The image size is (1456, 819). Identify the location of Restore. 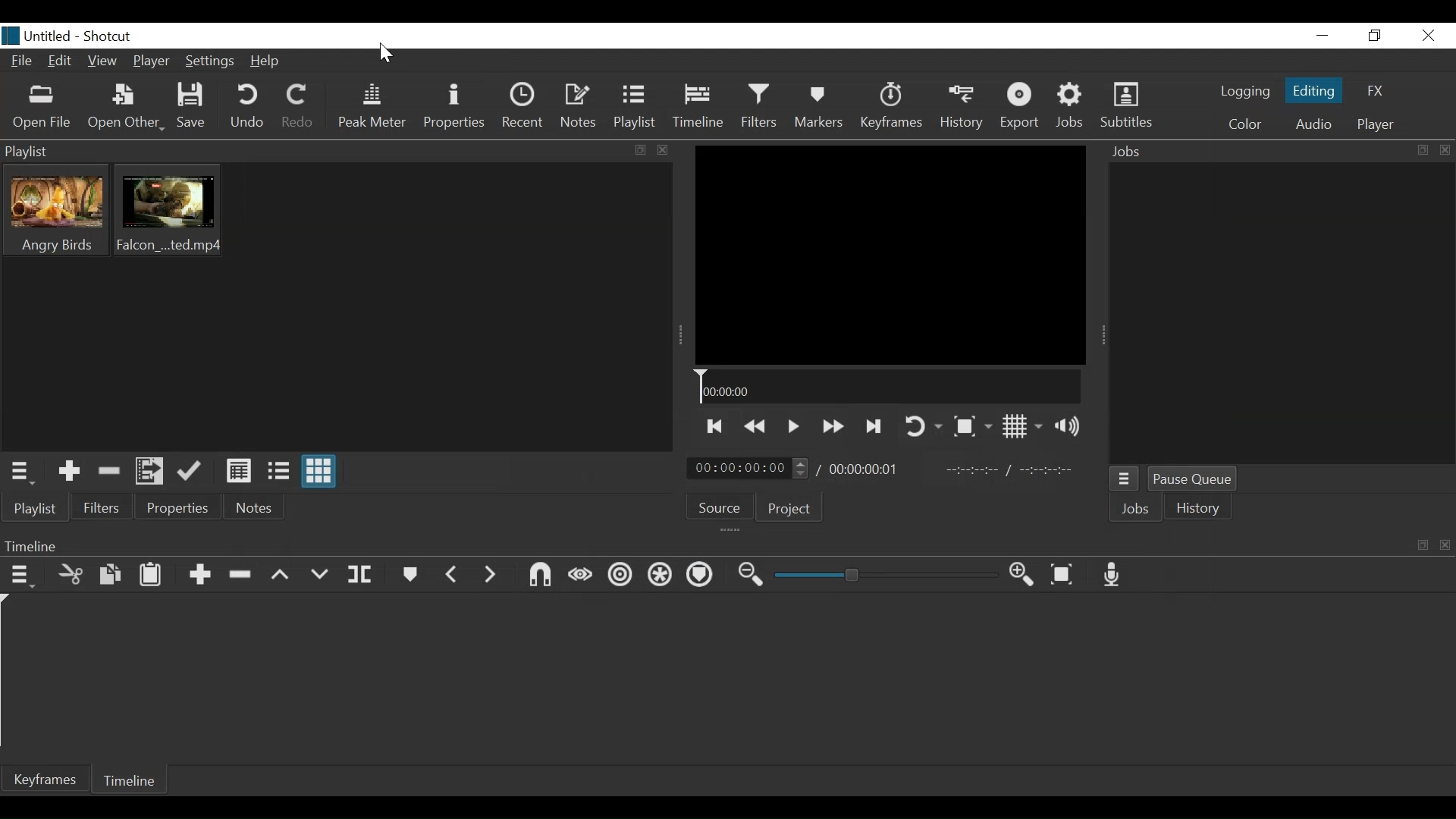
(1376, 35).